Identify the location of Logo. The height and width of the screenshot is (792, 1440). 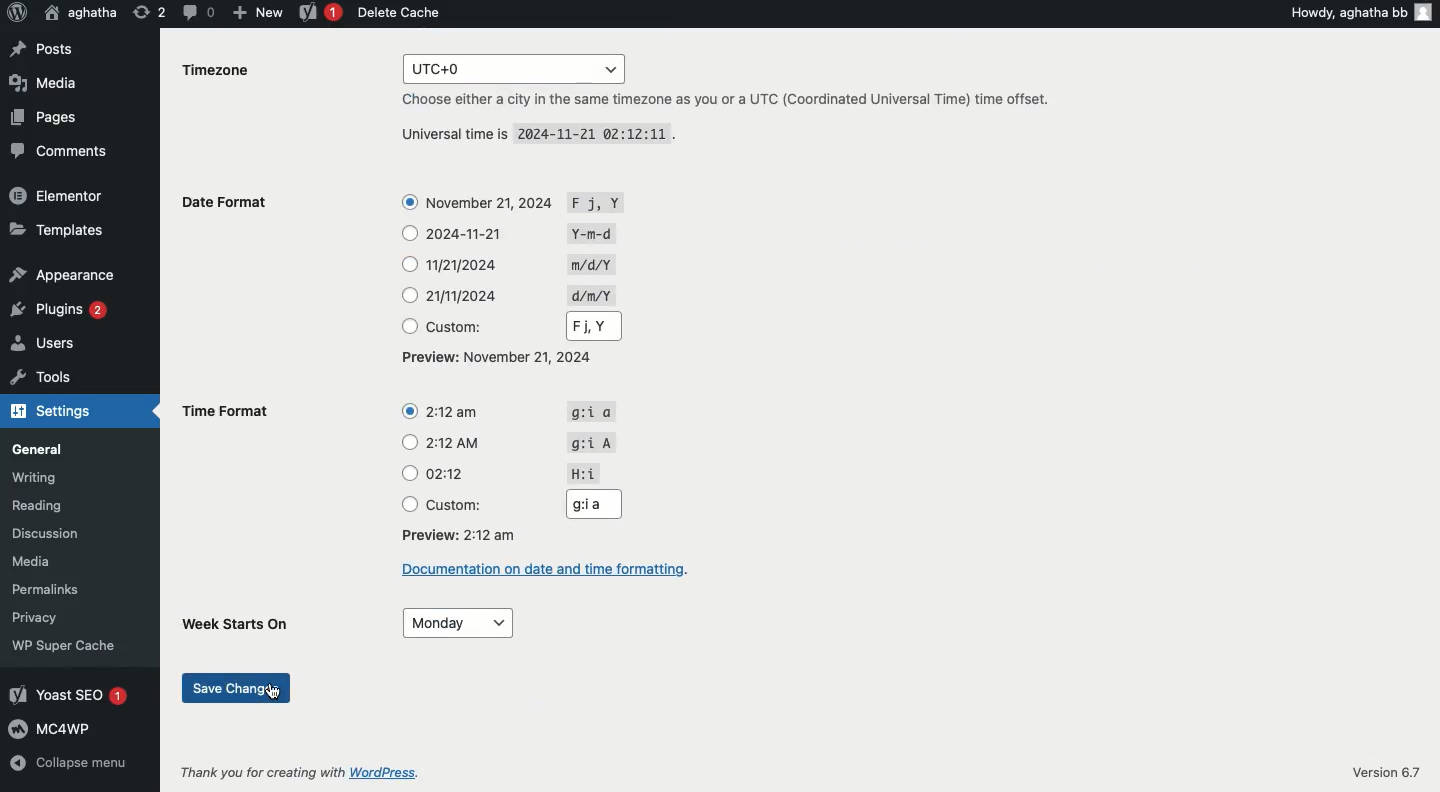
(17, 14).